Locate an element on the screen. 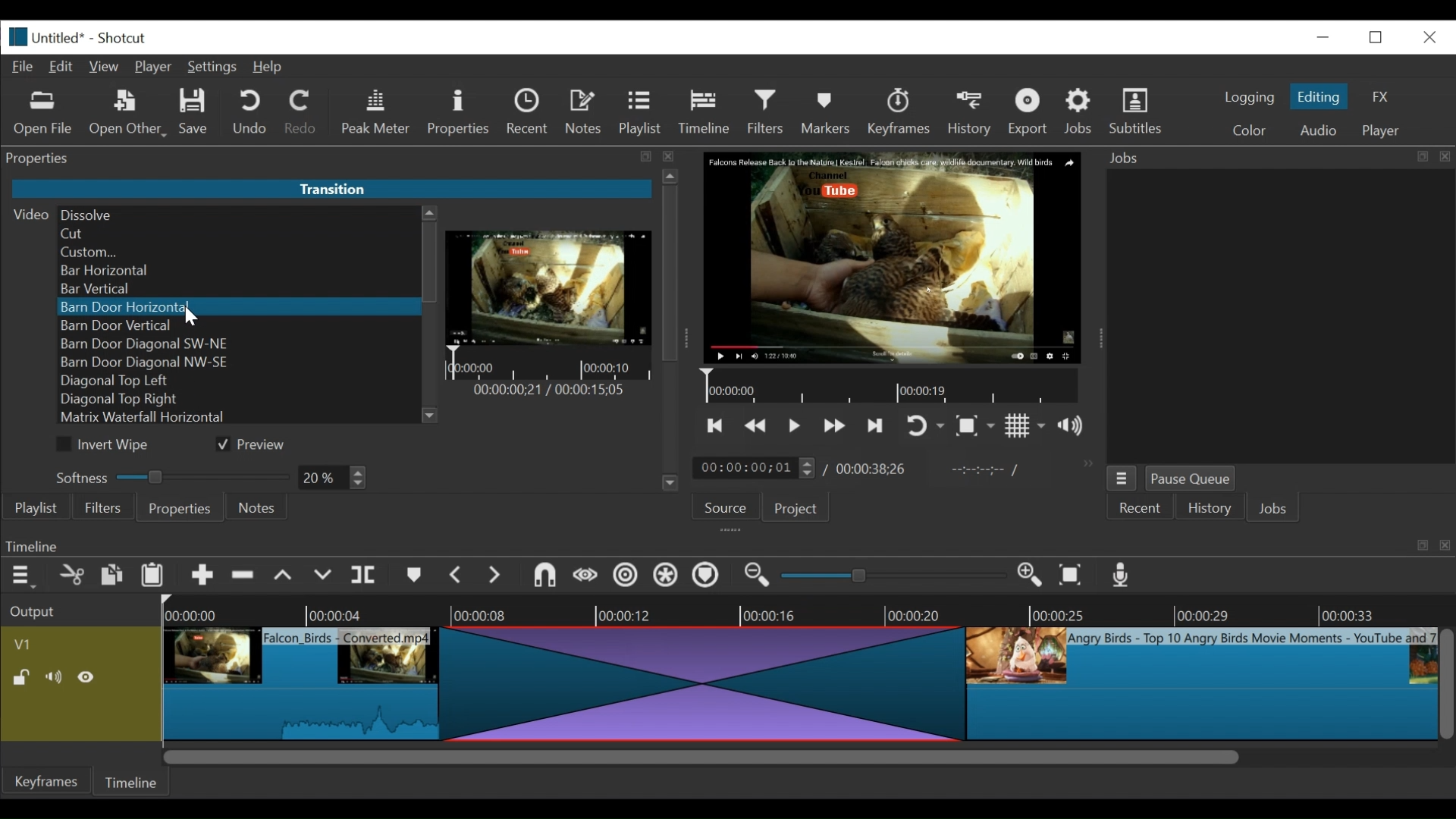 The width and height of the screenshot is (1456, 819). (un)check Invite Wipe is located at coordinates (106, 445).